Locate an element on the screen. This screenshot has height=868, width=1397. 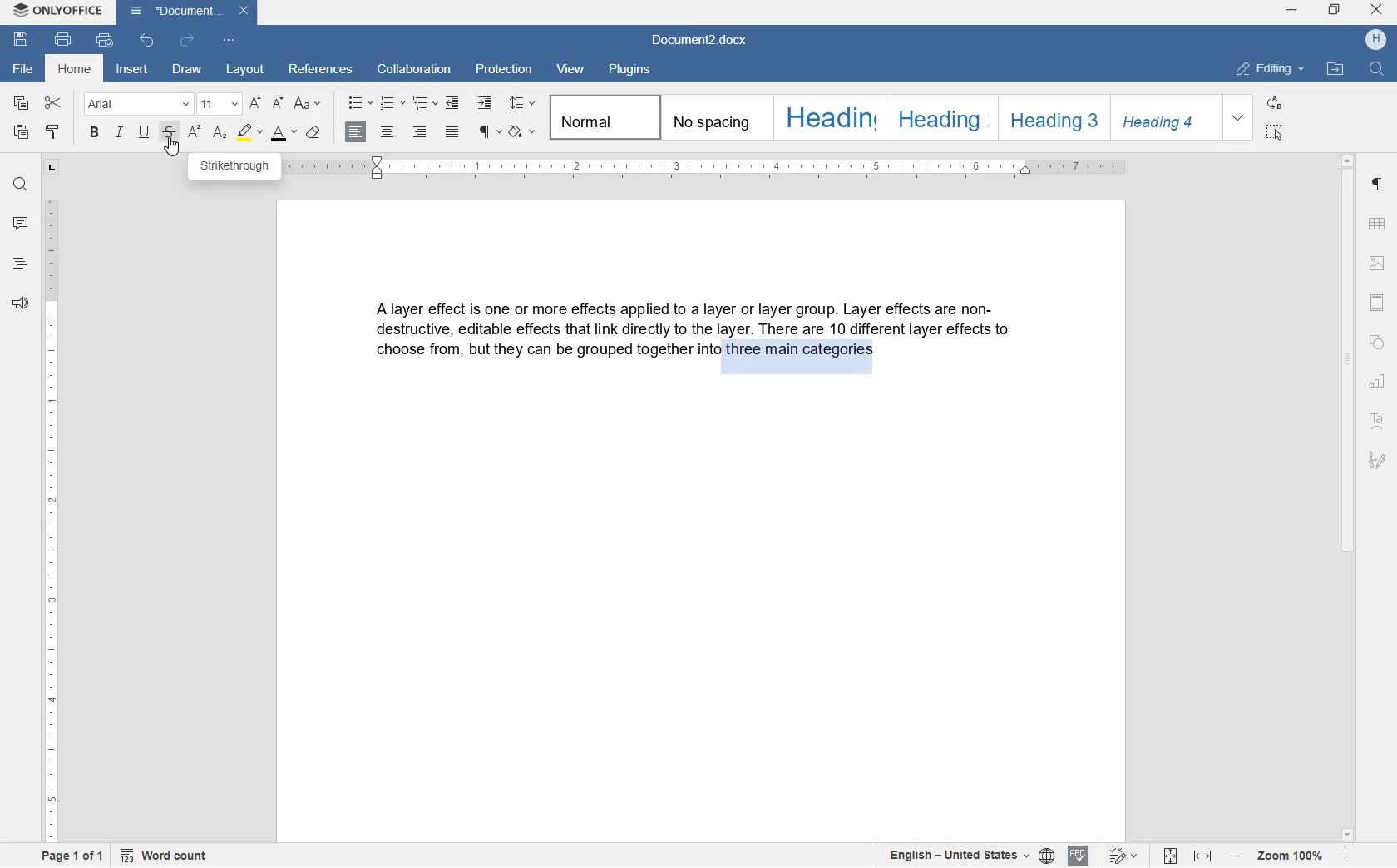
paste is located at coordinates (21, 134).